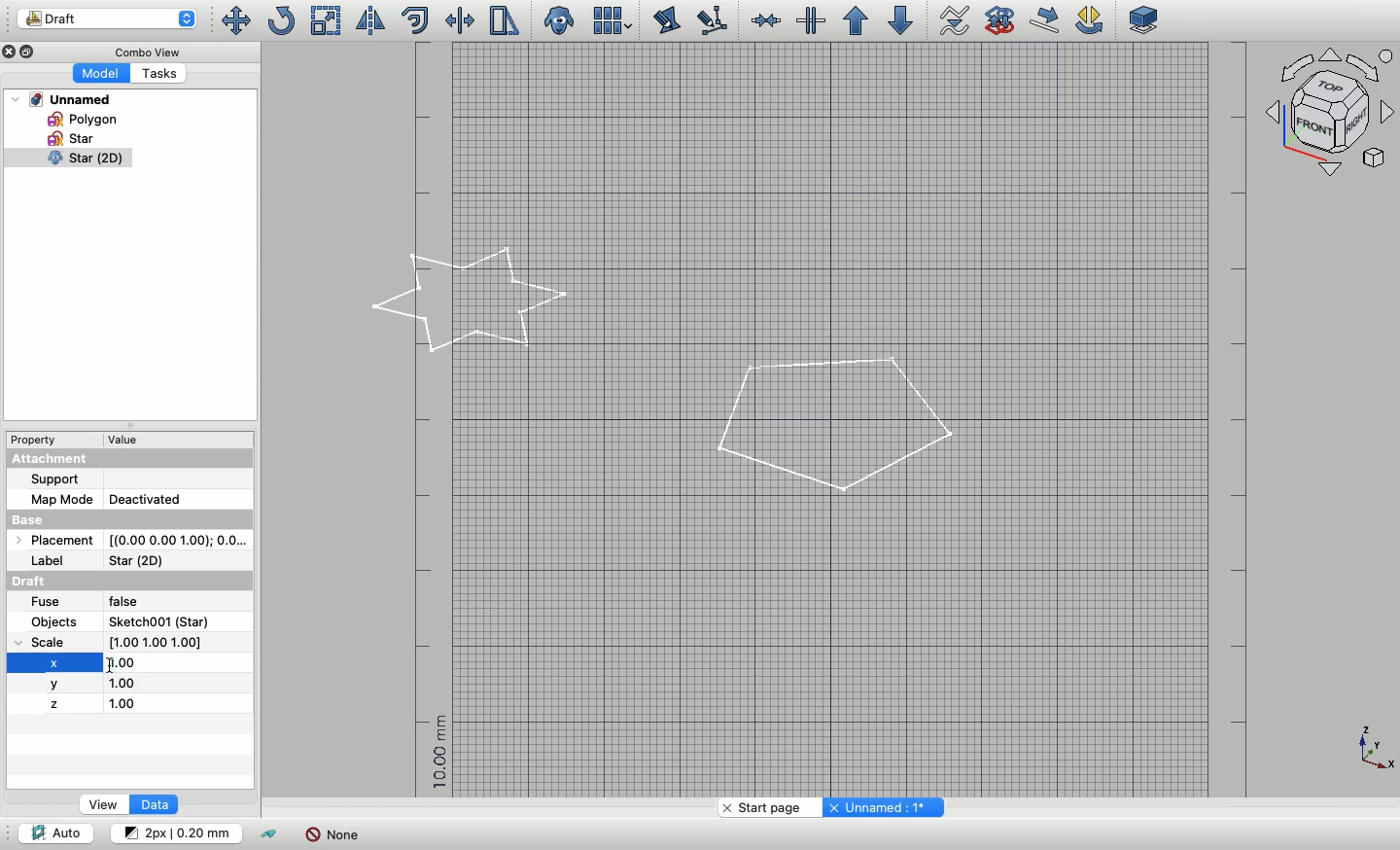  Describe the element at coordinates (79, 119) in the screenshot. I see `Polygon` at that location.